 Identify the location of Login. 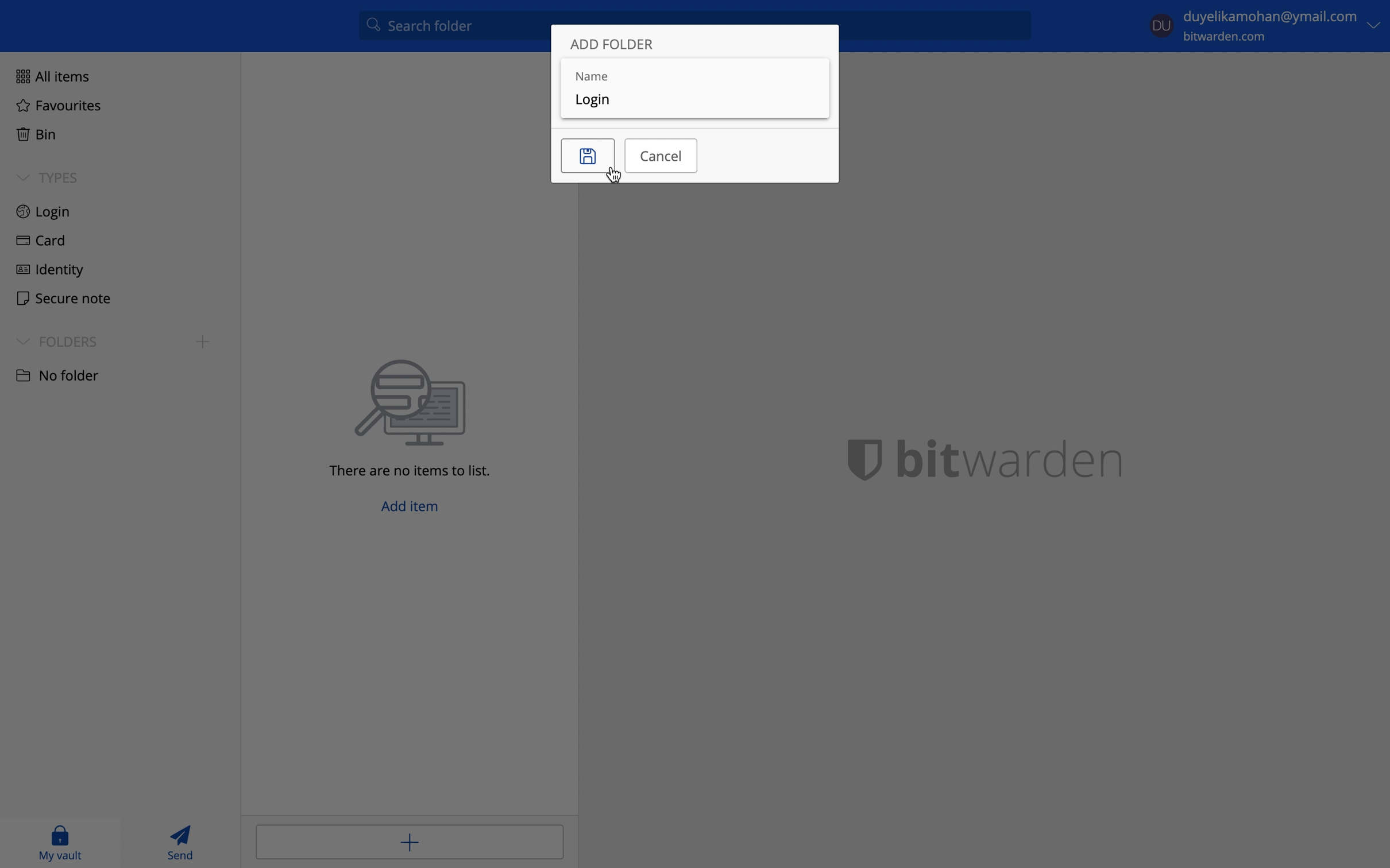
(602, 102).